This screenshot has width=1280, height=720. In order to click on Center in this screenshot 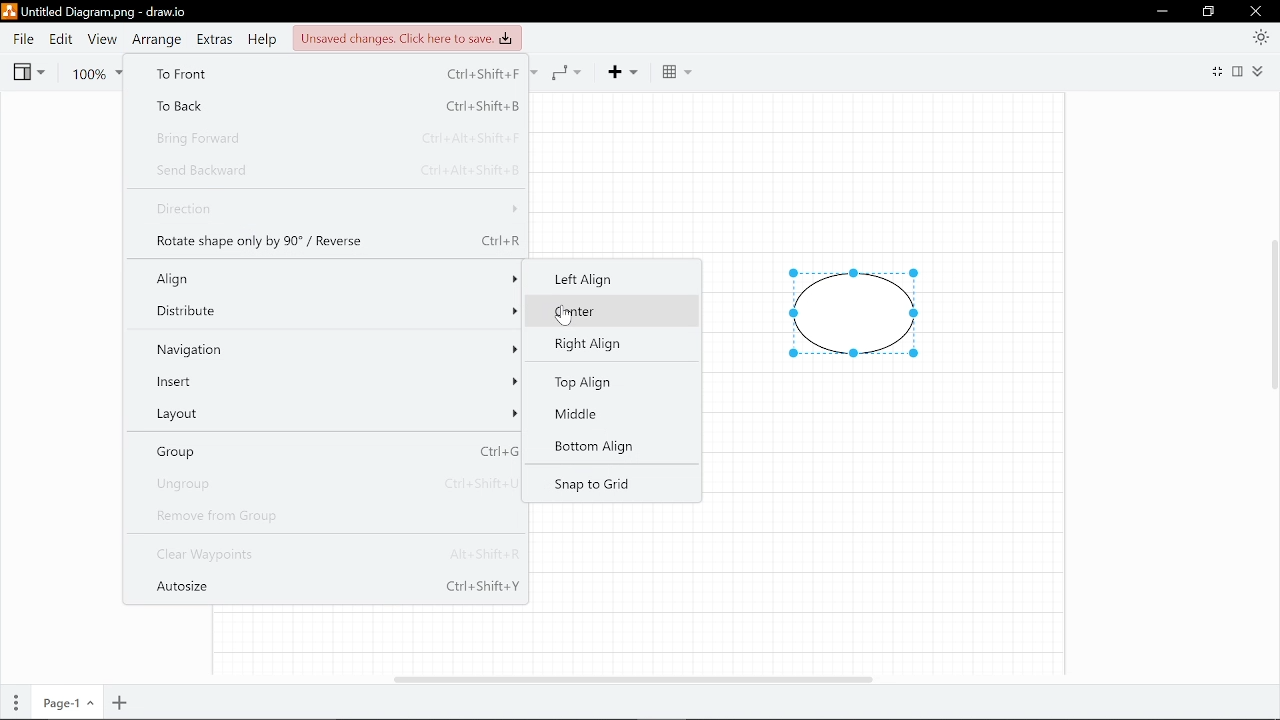, I will do `click(602, 312)`.